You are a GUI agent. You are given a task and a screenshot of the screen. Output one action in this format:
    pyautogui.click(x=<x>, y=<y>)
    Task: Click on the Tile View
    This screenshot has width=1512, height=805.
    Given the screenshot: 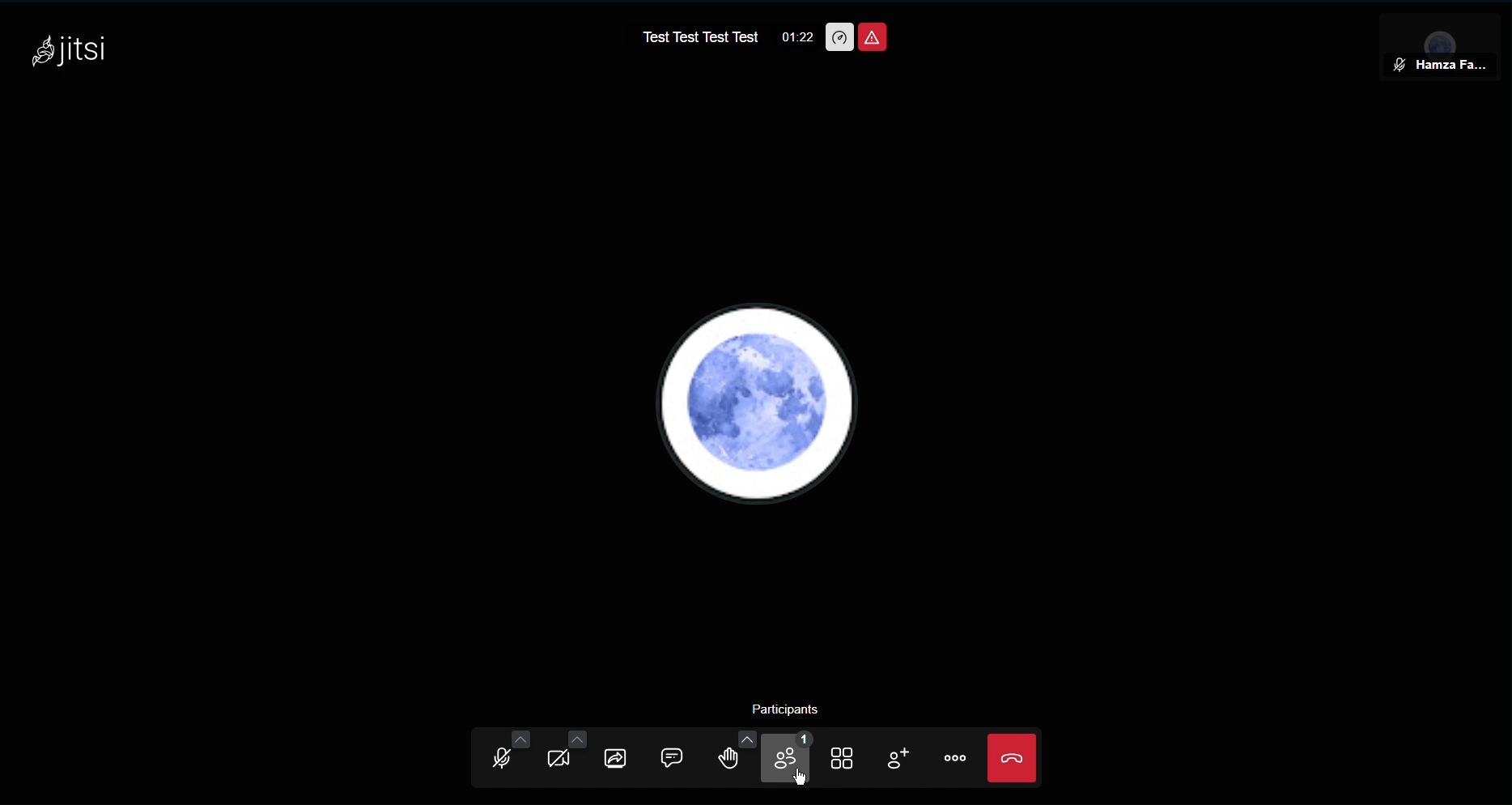 What is the action you would take?
    pyautogui.click(x=848, y=760)
    